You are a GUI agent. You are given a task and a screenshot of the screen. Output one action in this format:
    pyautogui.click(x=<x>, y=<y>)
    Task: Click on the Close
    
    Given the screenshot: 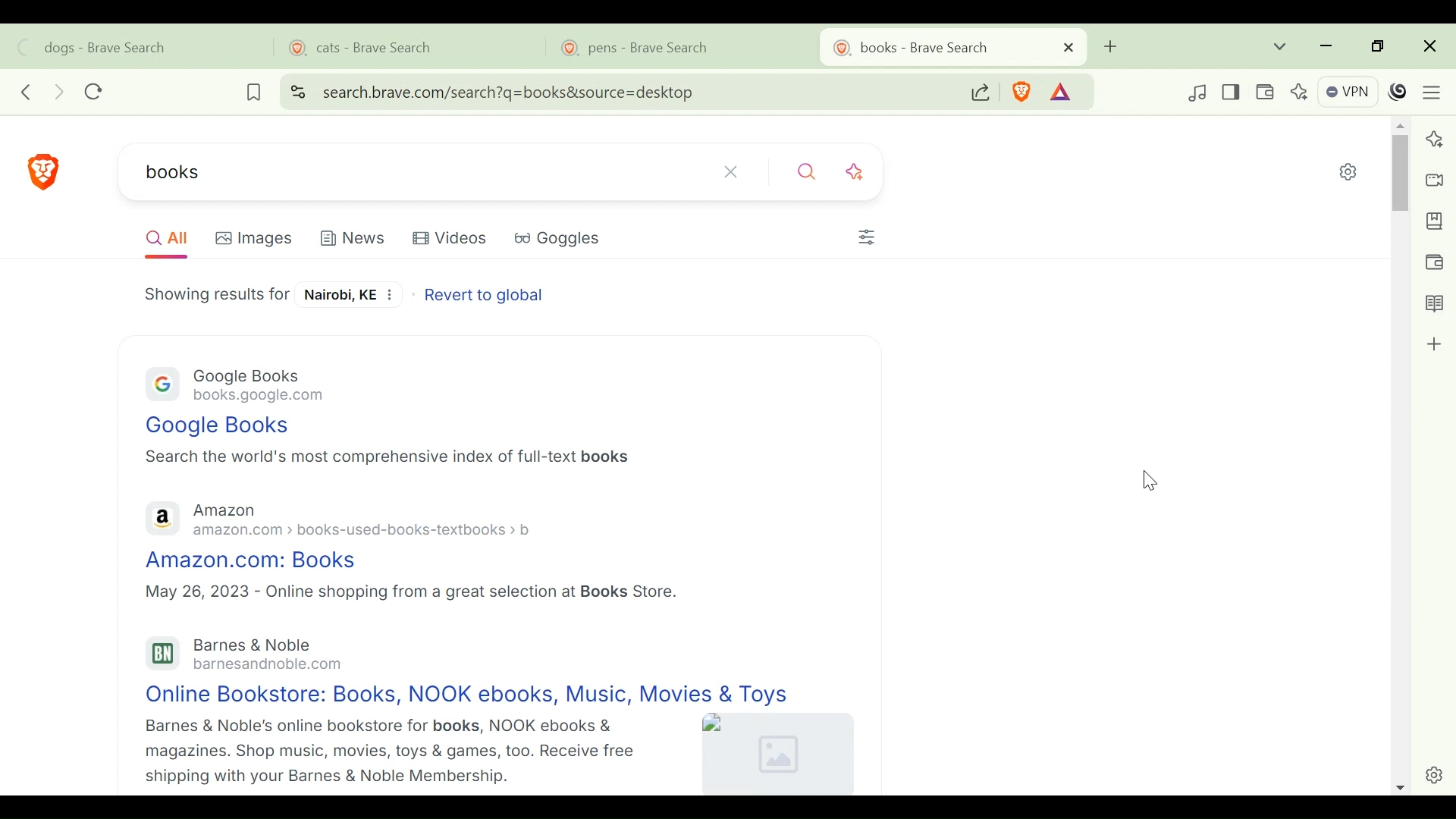 What is the action you would take?
    pyautogui.click(x=1430, y=45)
    